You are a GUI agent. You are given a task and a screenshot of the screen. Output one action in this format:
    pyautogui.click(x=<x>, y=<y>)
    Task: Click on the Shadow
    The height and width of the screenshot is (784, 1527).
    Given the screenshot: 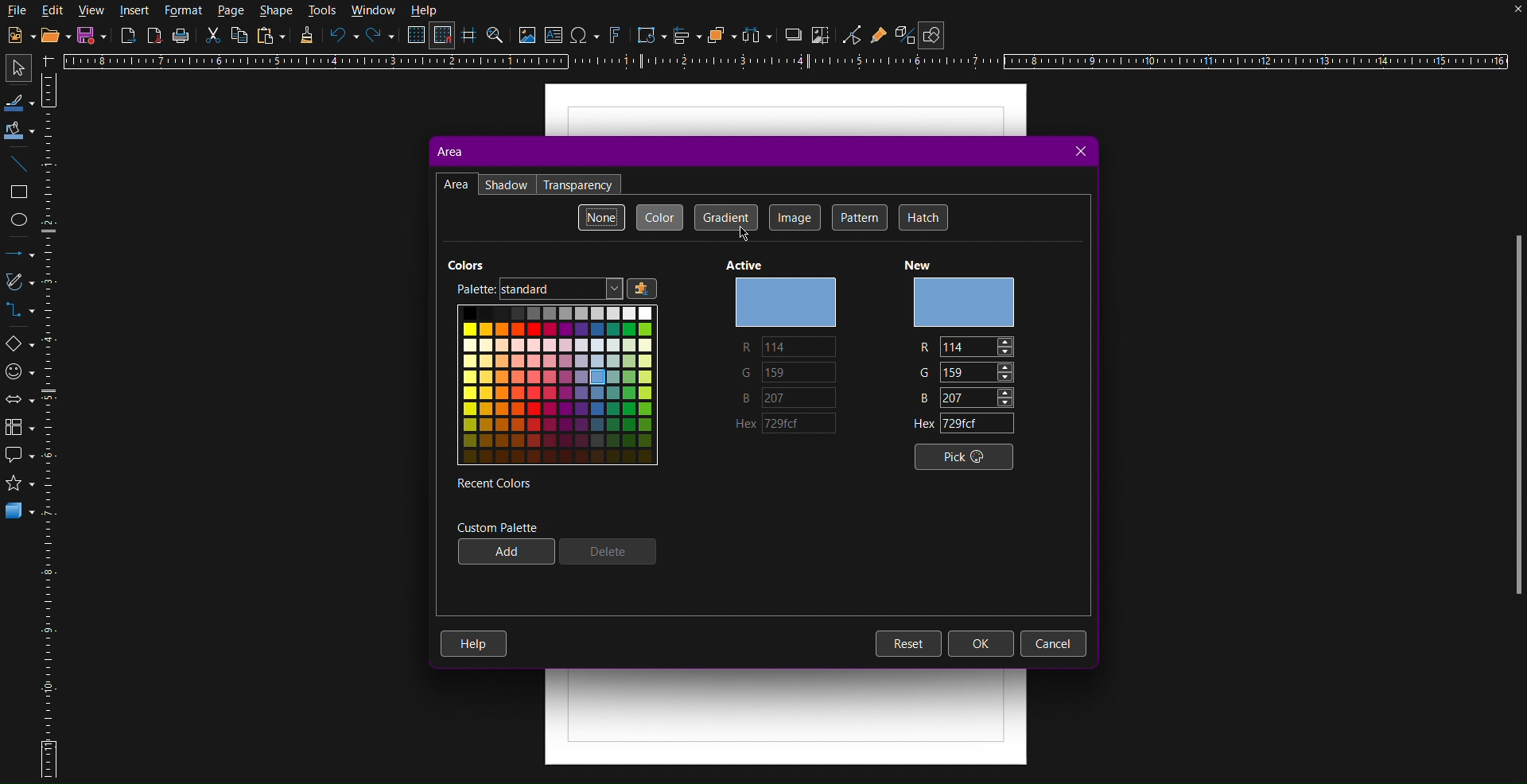 What is the action you would take?
    pyautogui.click(x=794, y=37)
    